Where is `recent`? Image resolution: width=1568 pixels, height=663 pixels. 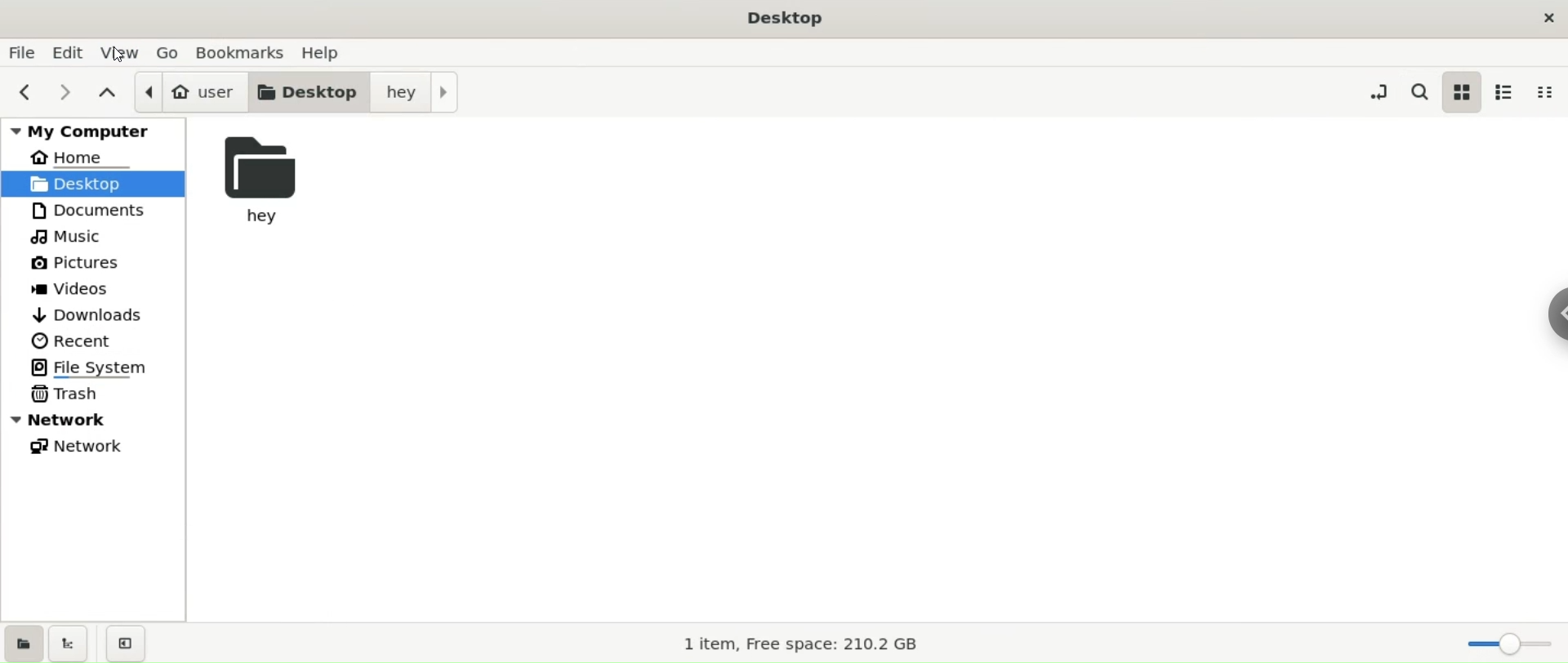 recent is located at coordinates (104, 340).